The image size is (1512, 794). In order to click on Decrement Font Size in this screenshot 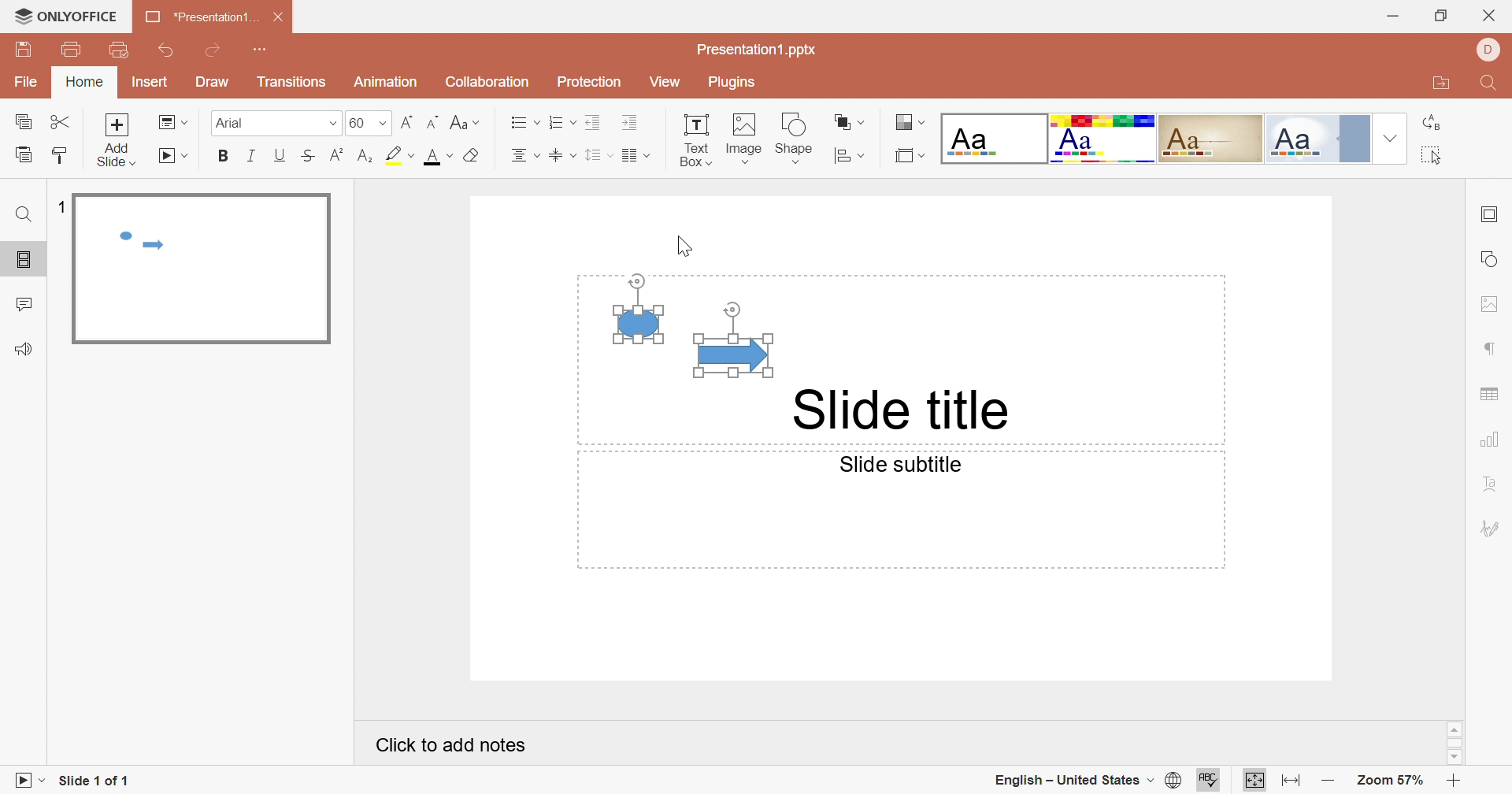, I will do `click(432, 118)`.